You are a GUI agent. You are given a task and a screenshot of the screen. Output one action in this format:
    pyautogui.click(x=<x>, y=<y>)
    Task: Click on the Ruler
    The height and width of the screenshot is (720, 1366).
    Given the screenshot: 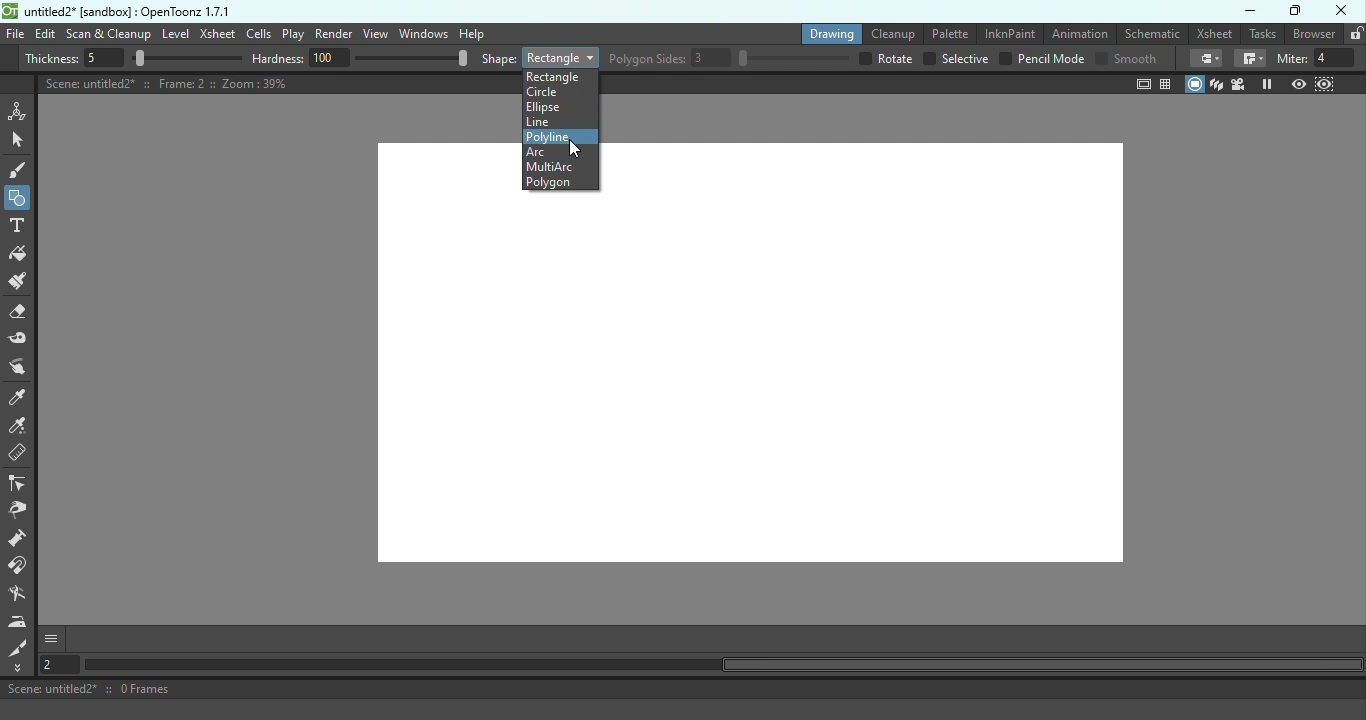 What is the action you would take?
    pyautogui.click(x=24, y=456)
    